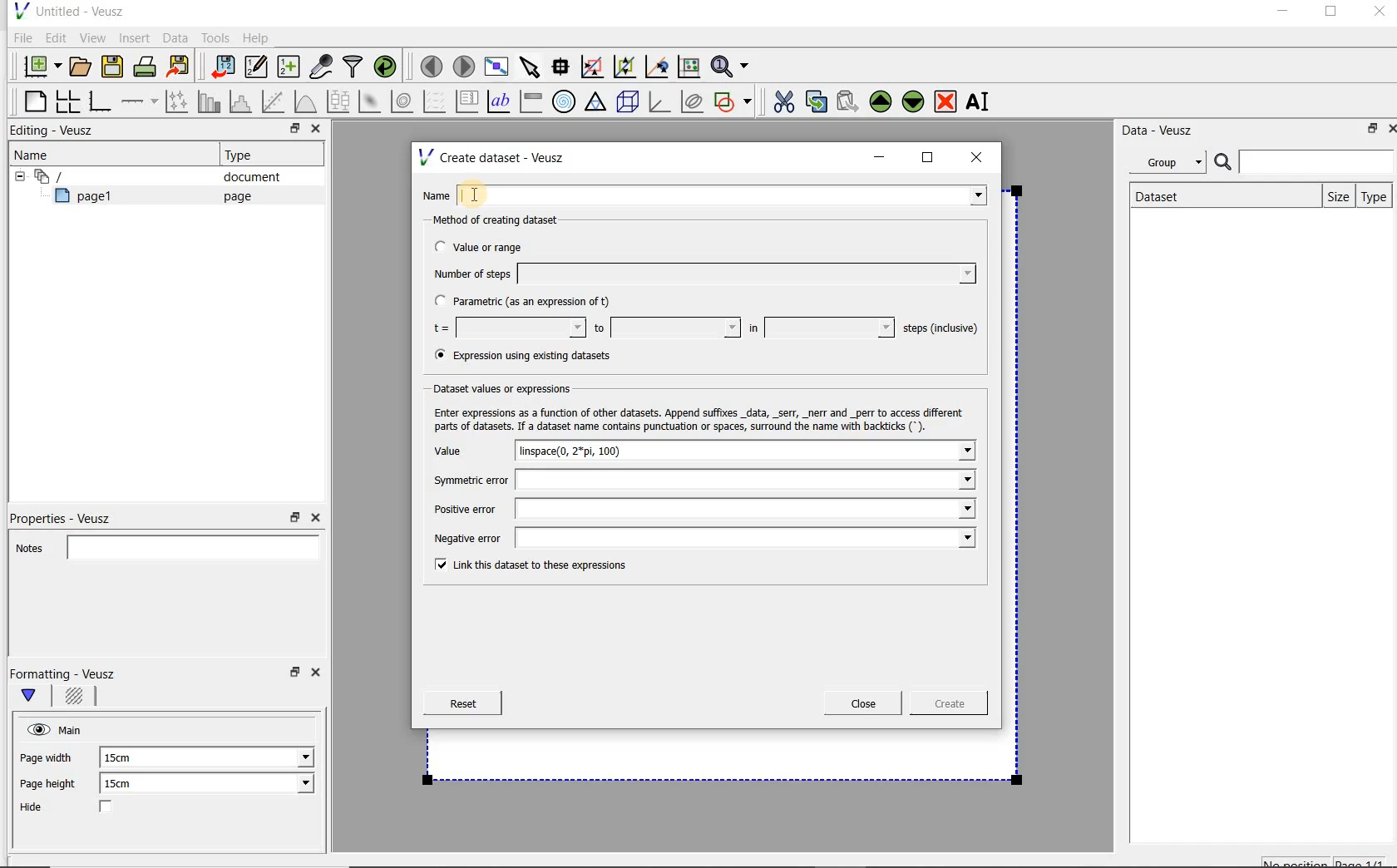 The image size is (1397, 868). What do you see at coordinates (1331, 14) in the screenshot?
I see `maximize` at bounding box center [1331, 14].